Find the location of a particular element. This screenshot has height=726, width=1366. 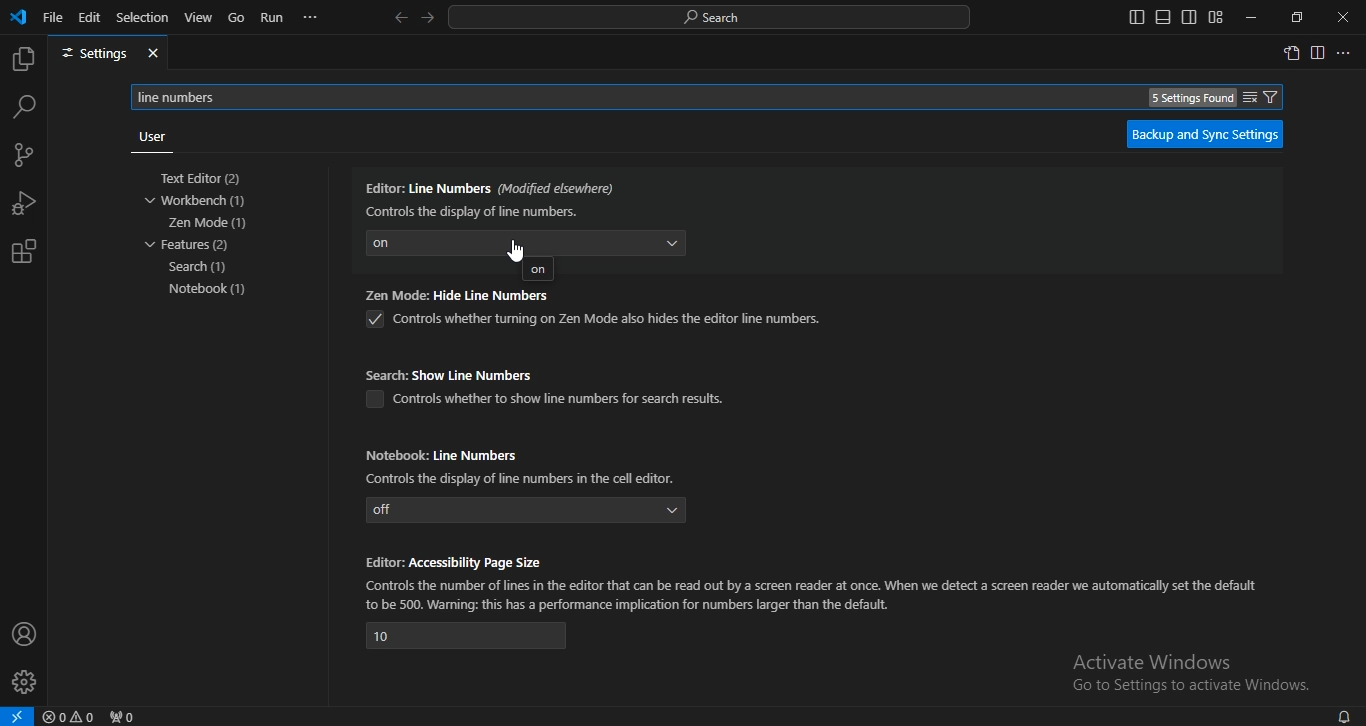

customize layout is located at coordinates (1215, 17).